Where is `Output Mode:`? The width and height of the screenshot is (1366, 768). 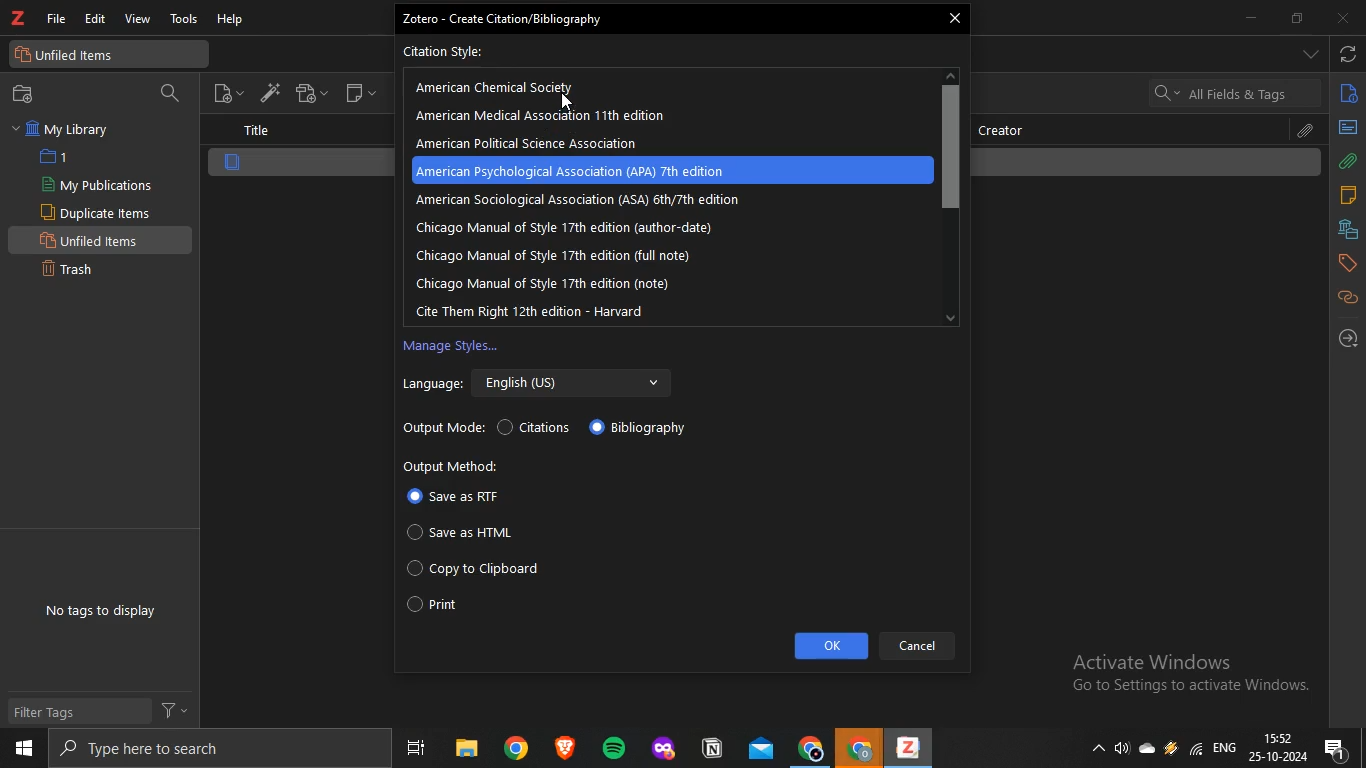 Output Mode: is located at coordinates (443, 430).